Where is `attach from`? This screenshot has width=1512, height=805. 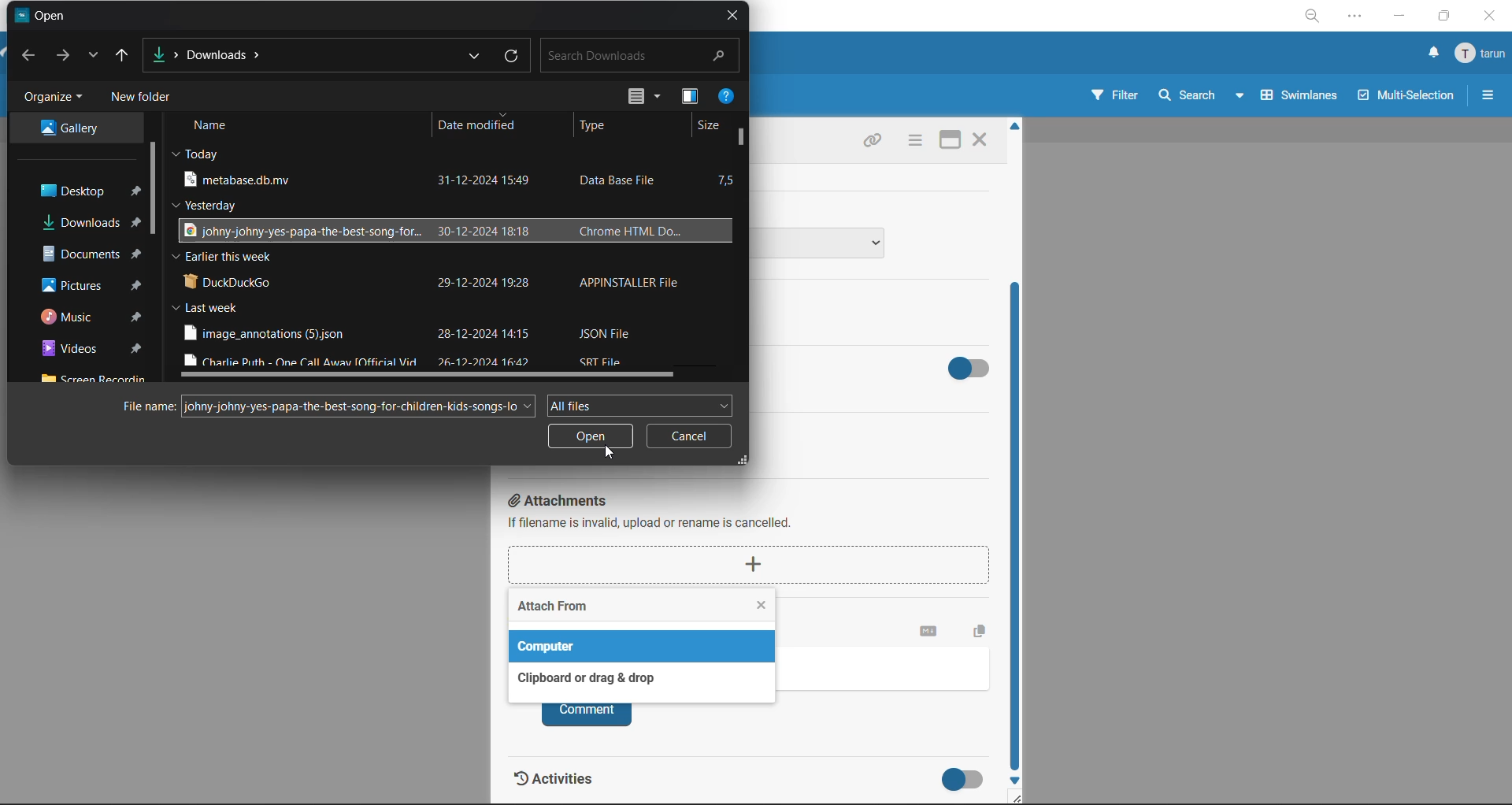
attach from is located at coordinates (553, 609).